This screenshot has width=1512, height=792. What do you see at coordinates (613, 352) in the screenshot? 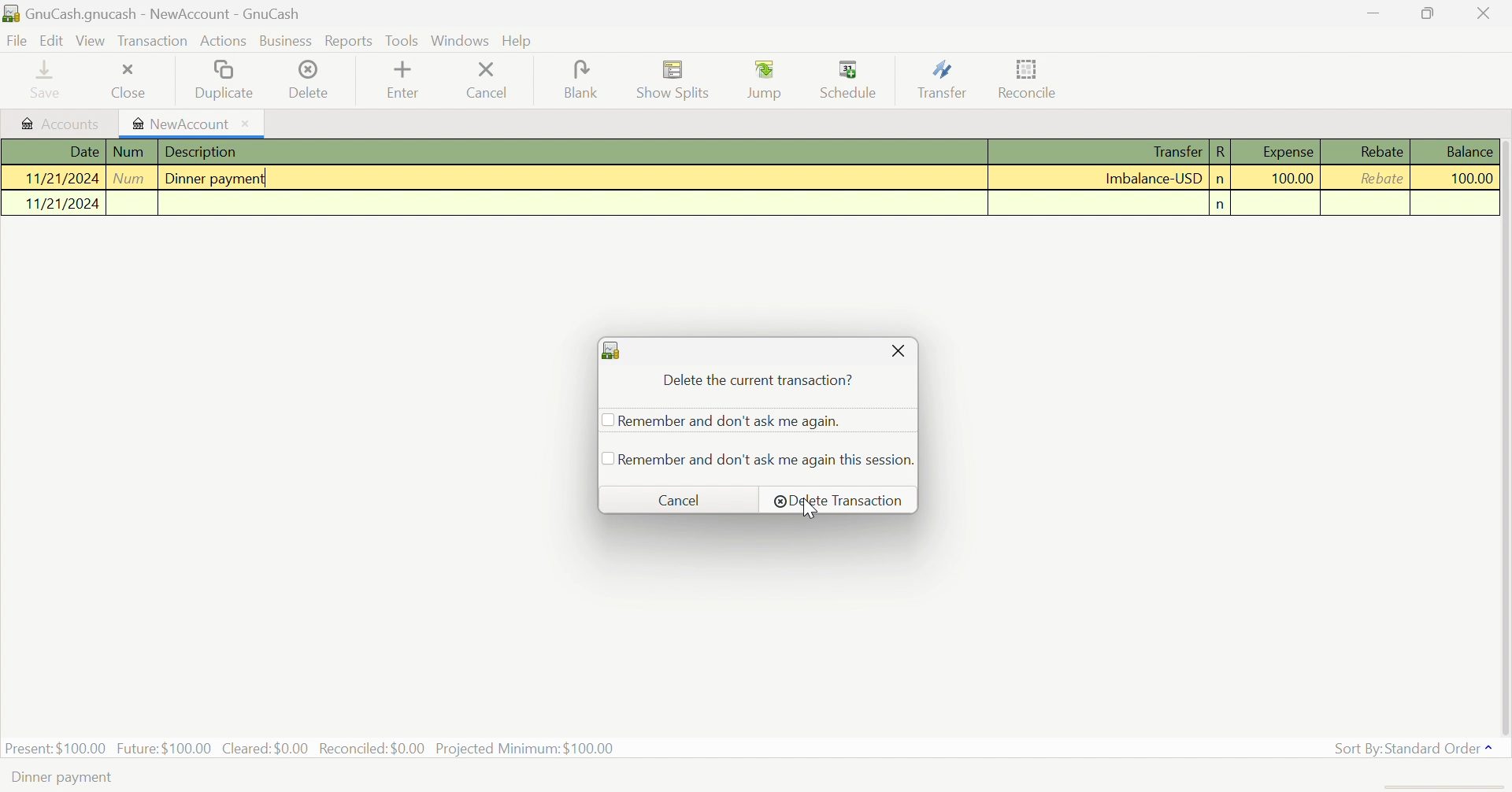
I see ` GnuCash icon` at bounding box center [613, 352].